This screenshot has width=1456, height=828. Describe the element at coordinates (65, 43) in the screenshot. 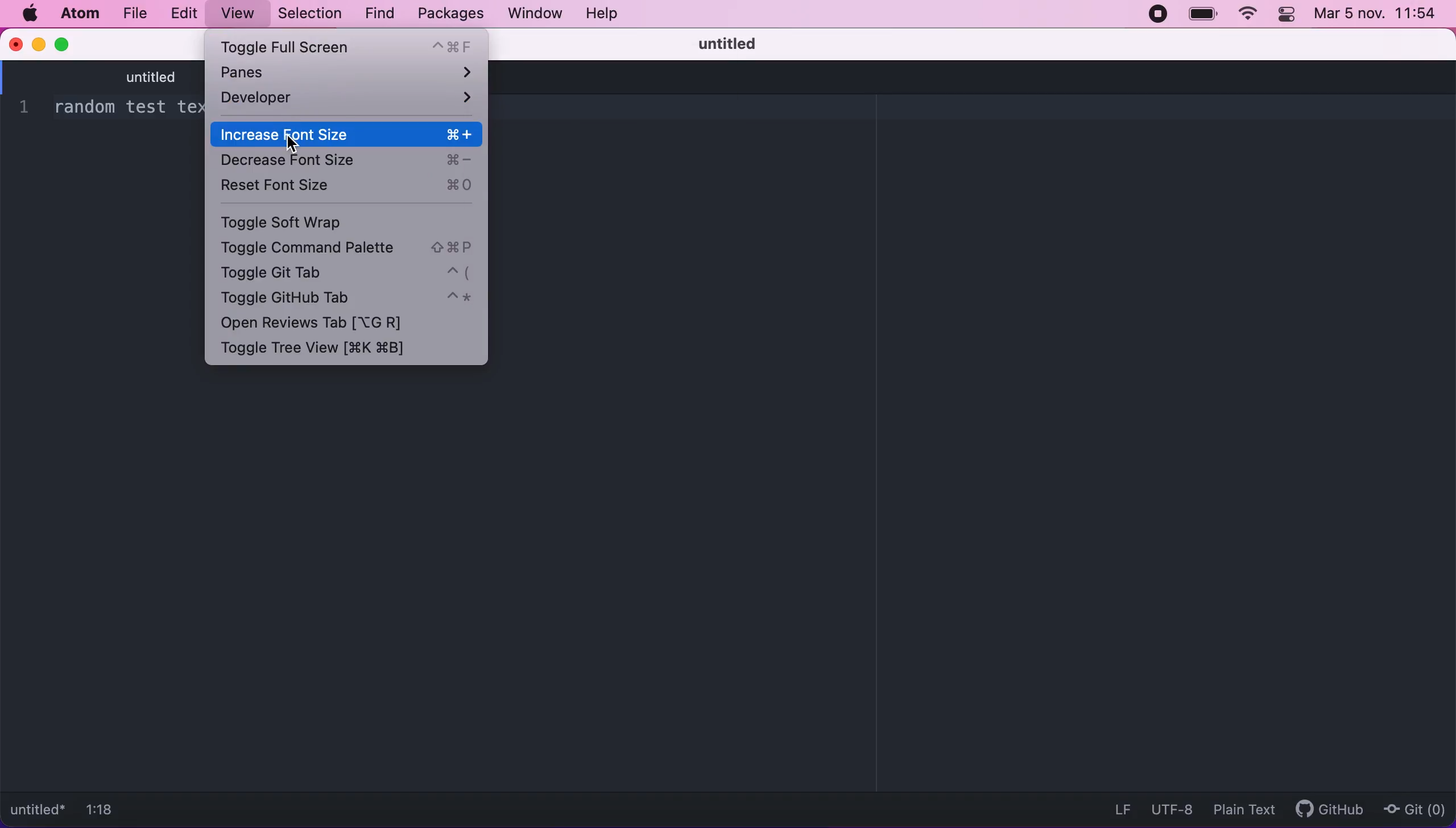

I see `maximize` at that location.